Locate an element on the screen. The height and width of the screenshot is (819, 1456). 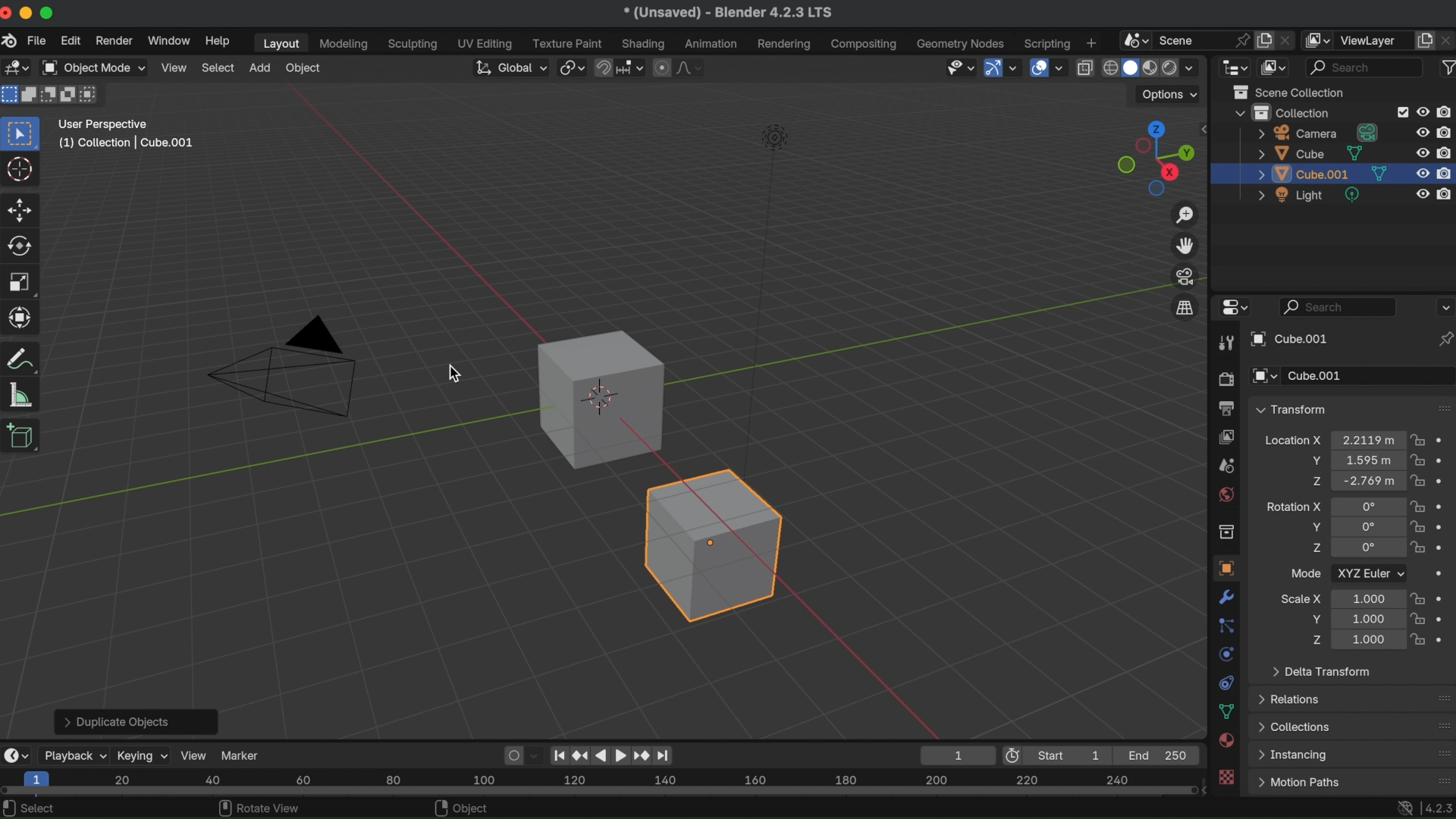
editor type is located at coordinates (1235, 66).